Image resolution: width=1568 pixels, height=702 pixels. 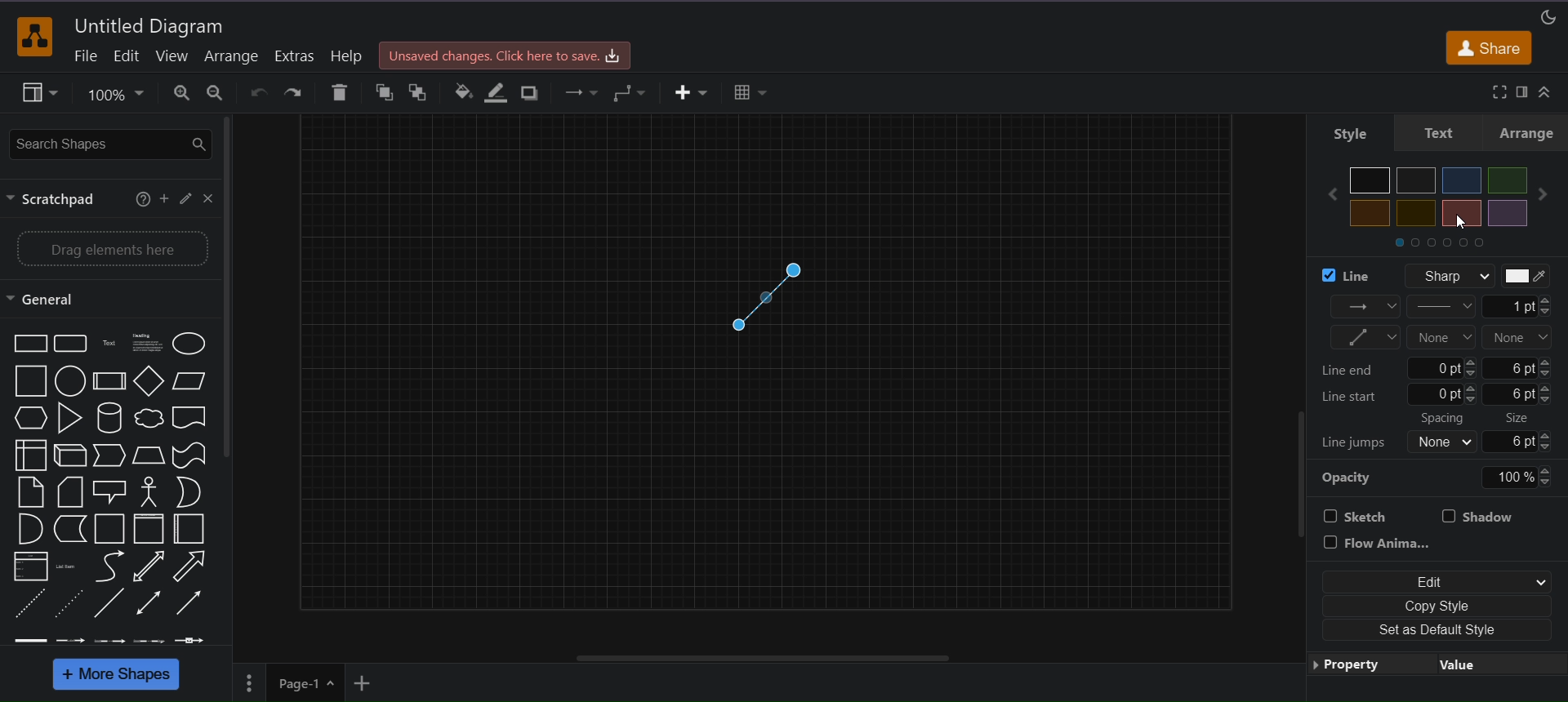 What do you see at coordinates (1442, 397) in the screenshot?
I see `line start` at bounding box center [1442, 397].